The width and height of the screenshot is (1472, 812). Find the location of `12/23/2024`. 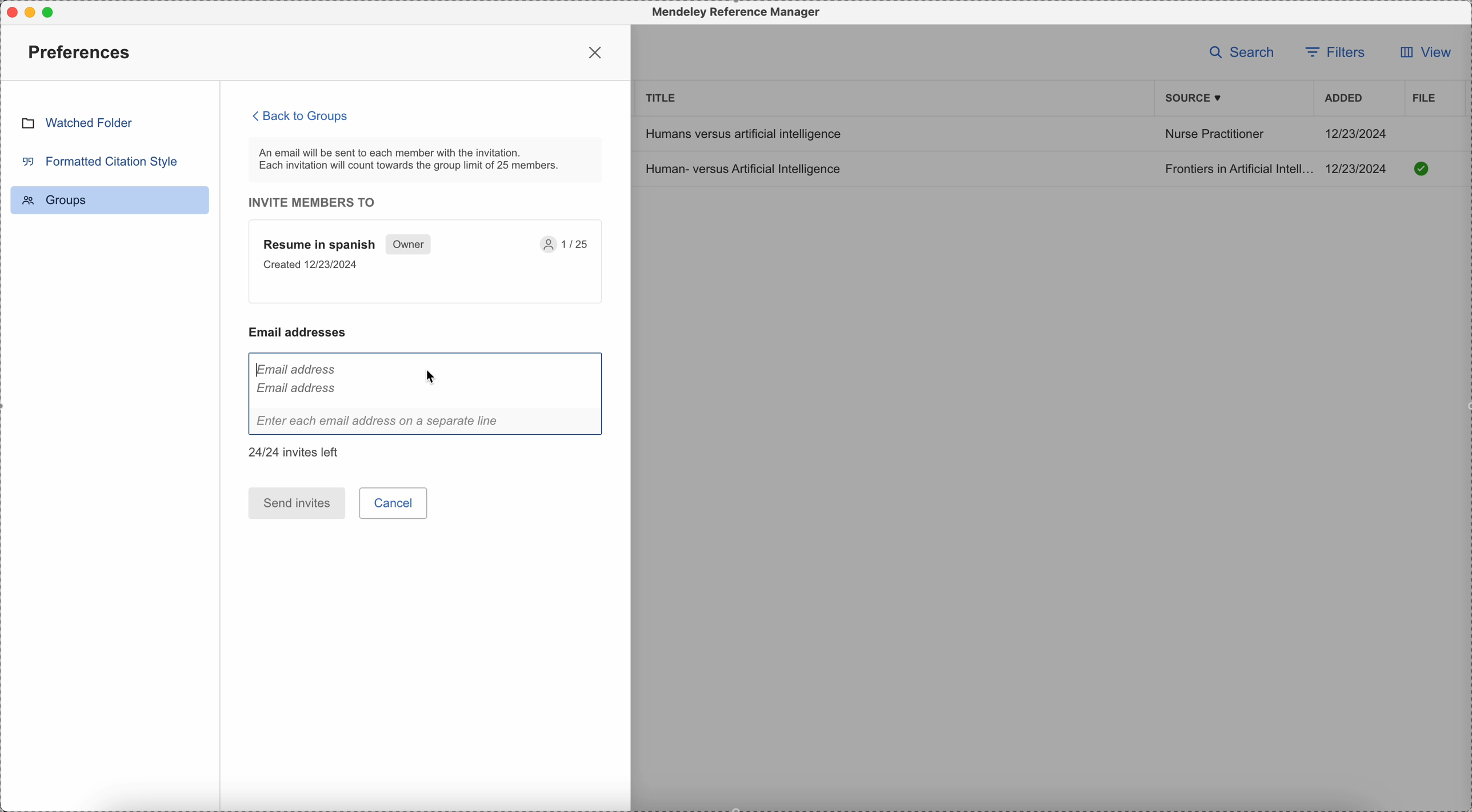

12/23/2024 is located at coordinates (1357, 133).